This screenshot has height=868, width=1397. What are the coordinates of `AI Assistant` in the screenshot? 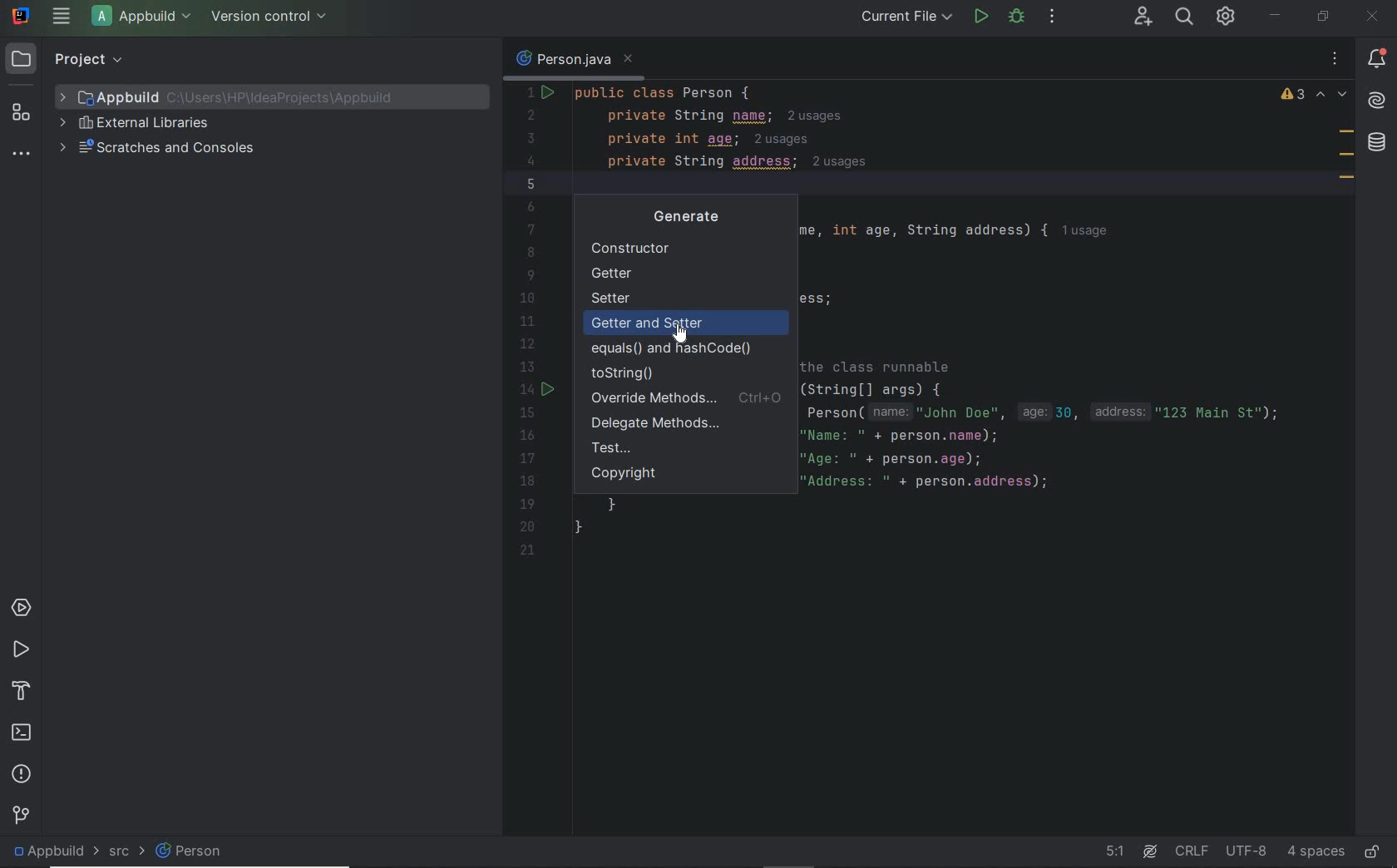 It's located at (1377, 102).